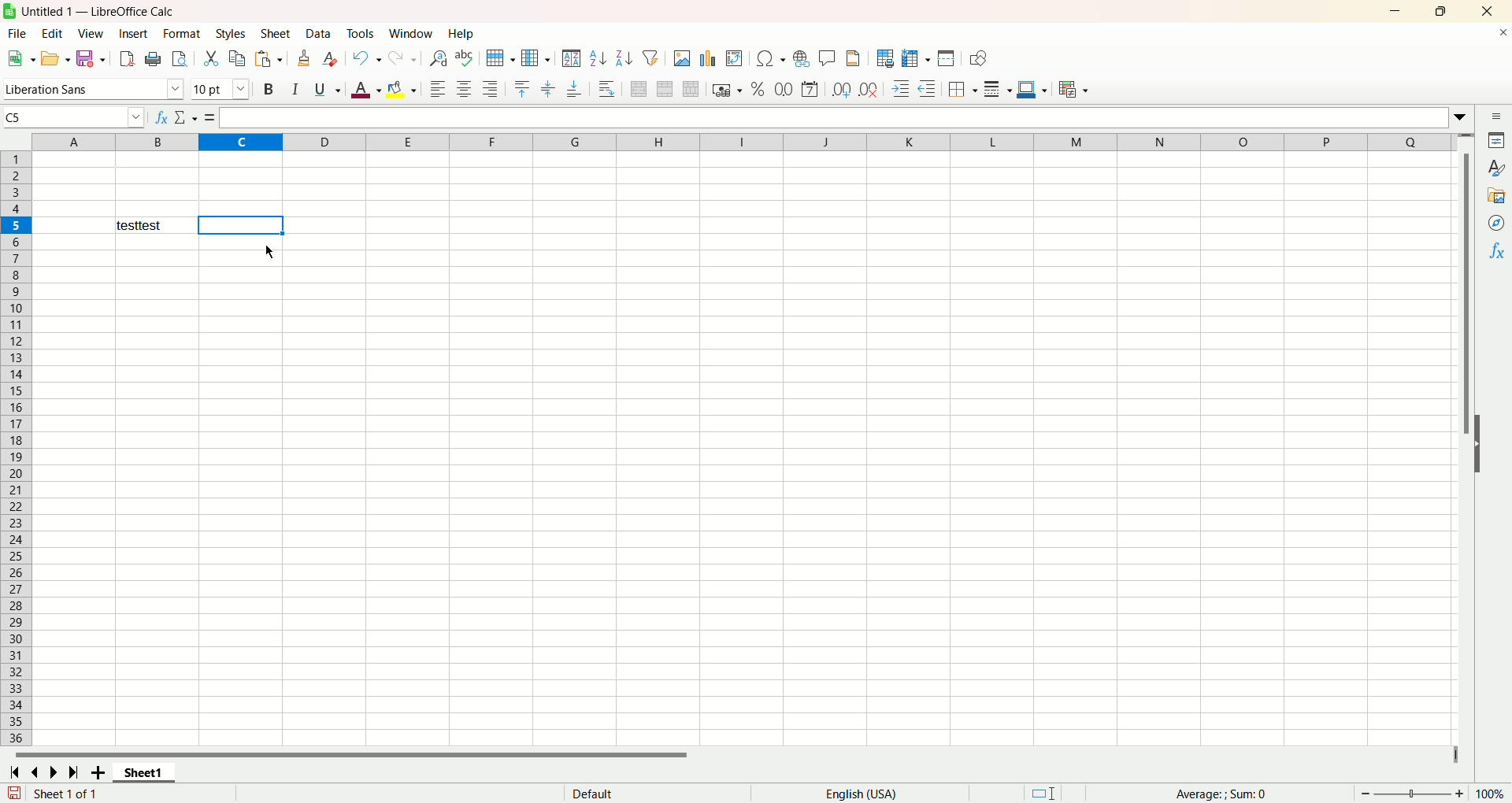 This screenshot has height=803, width=1512. I want to click on columns, so click(733, 142).